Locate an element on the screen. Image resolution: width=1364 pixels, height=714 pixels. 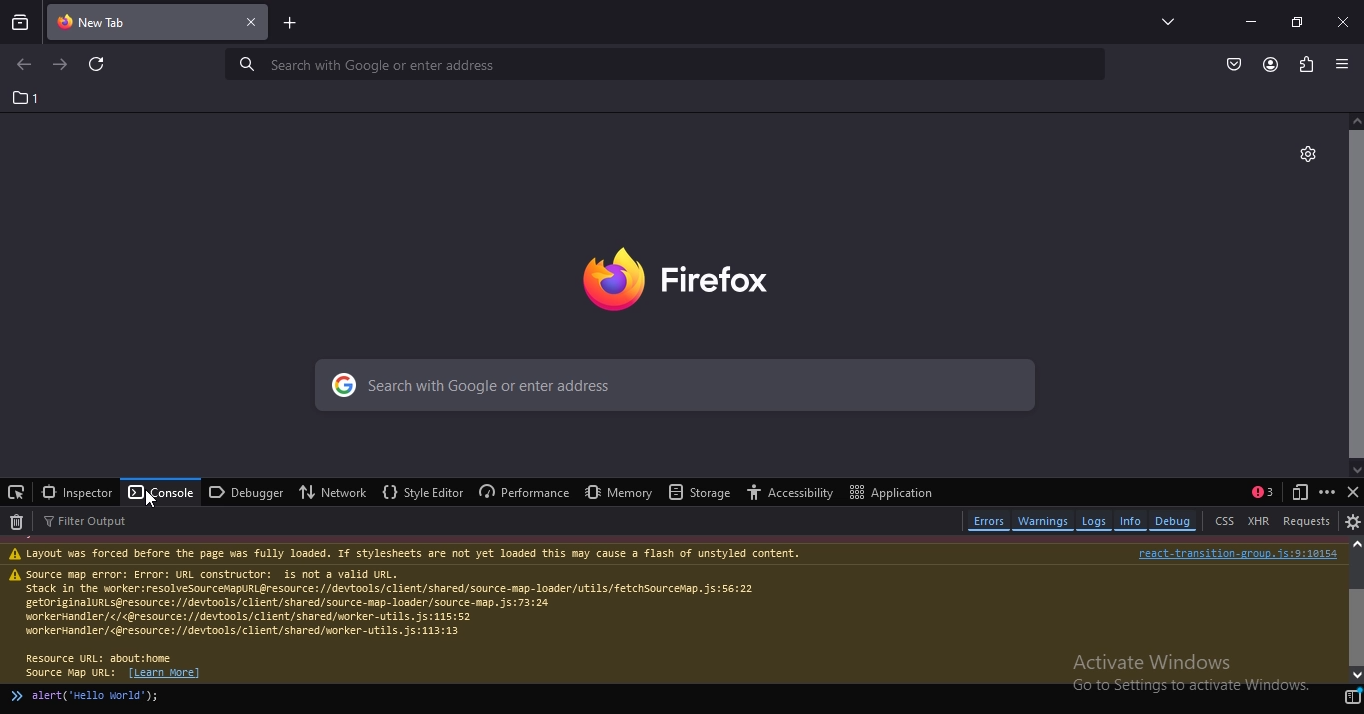
search is located at coordinates (676, 386).